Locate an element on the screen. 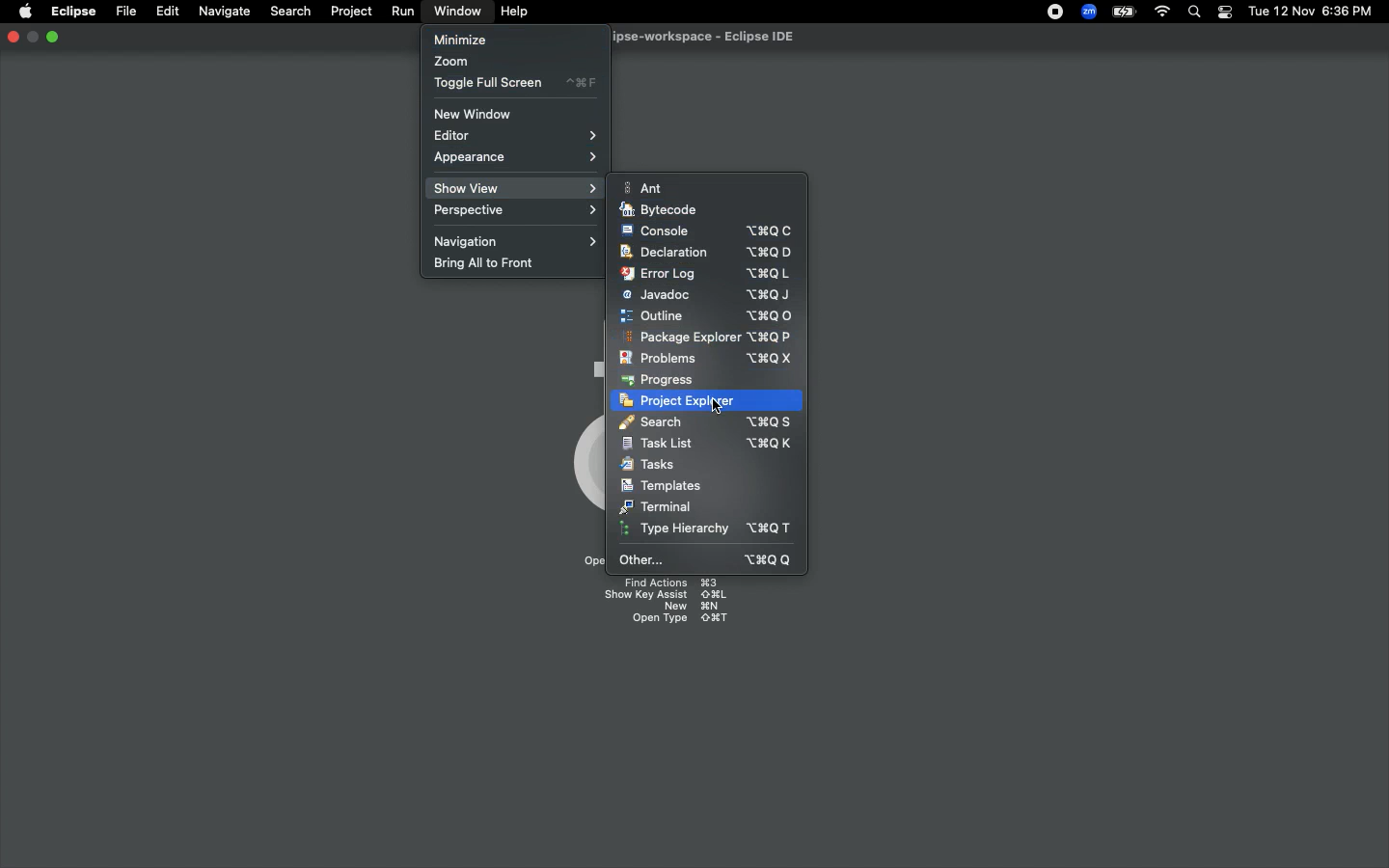 Image resolution: width=1389 pixels, height=868 pixels. Internet is located at coordinates (1162, 13).